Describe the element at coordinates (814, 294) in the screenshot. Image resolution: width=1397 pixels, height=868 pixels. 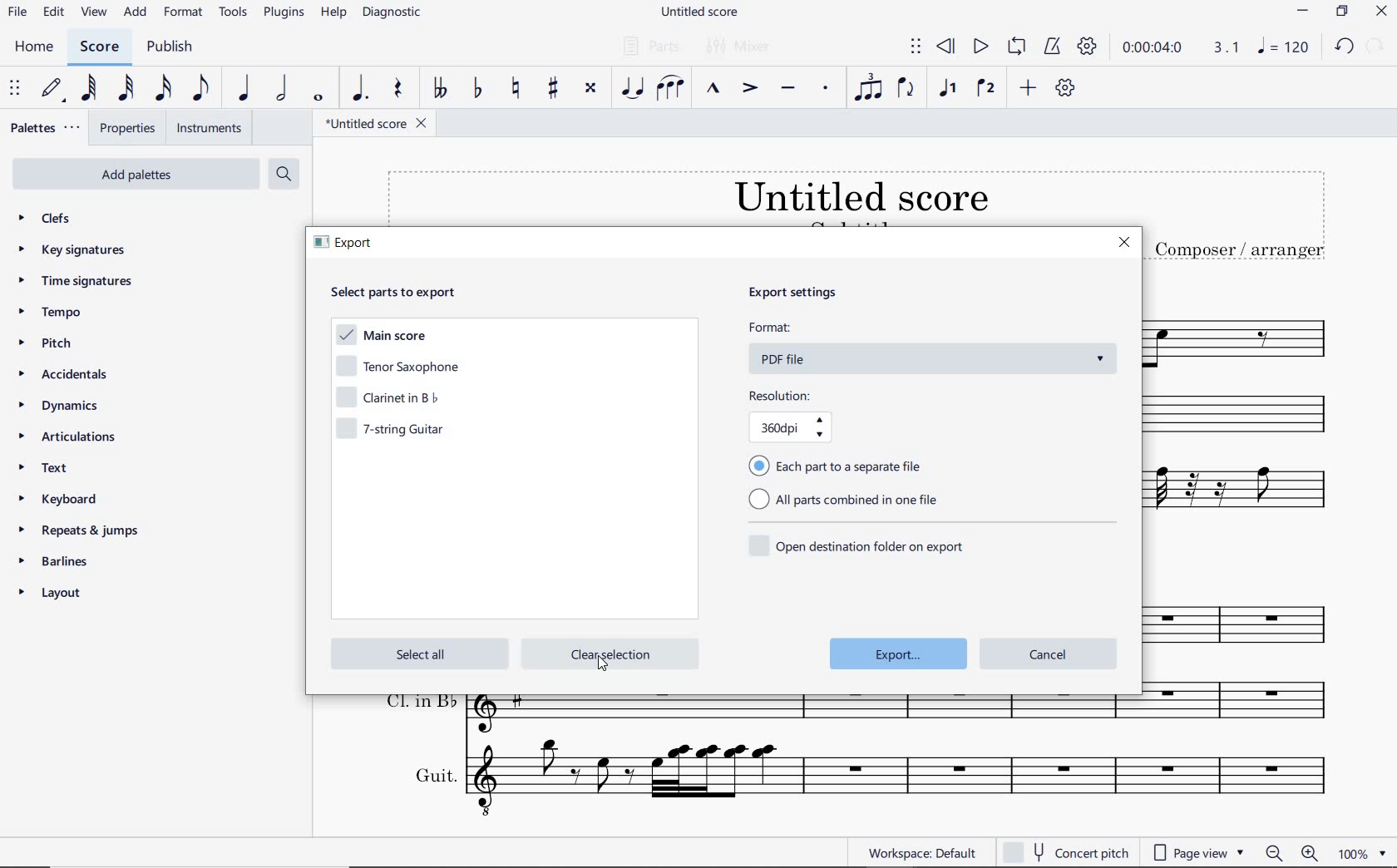
I see `export settings` at that location.